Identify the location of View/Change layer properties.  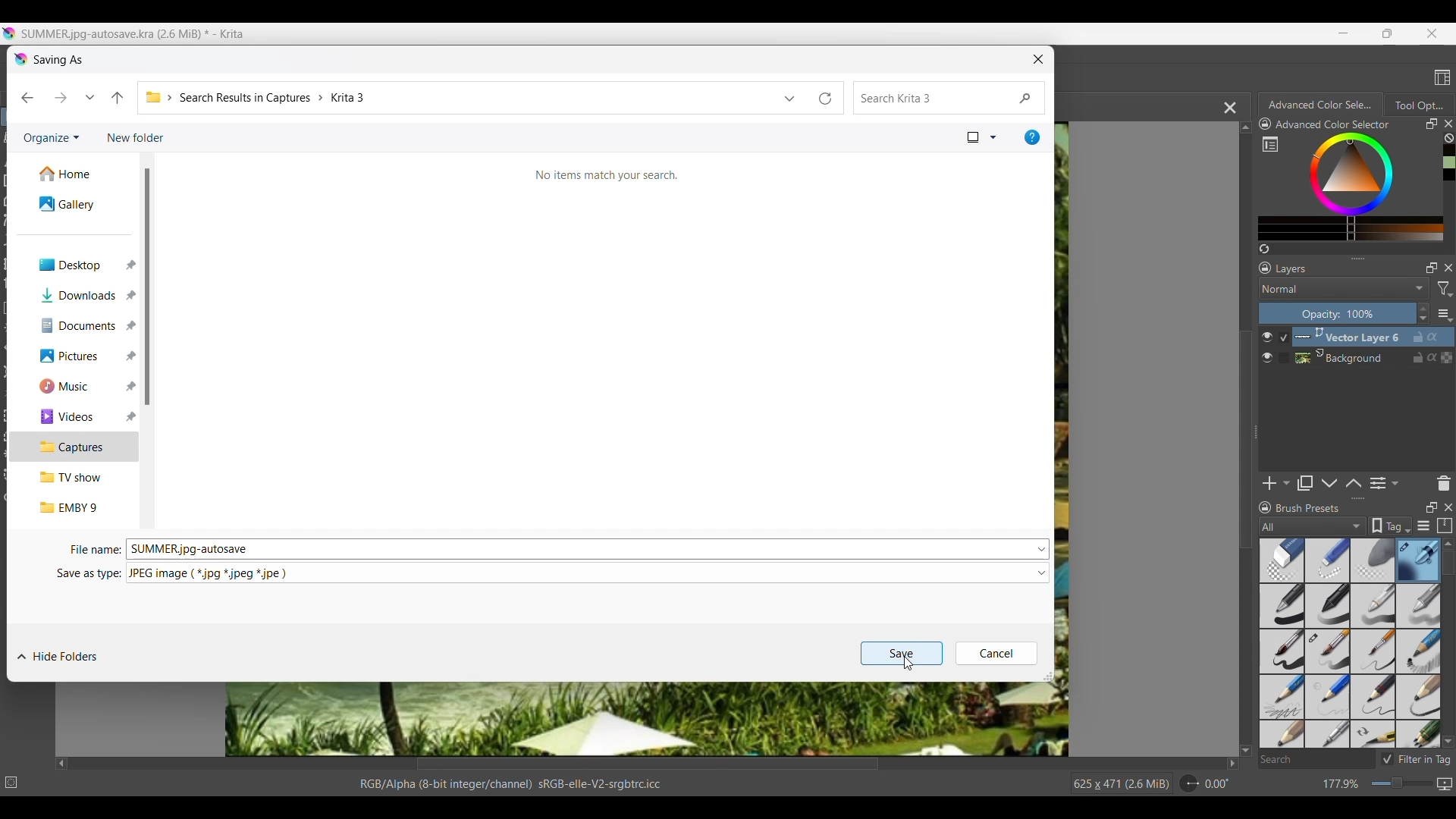
(1384, 483).